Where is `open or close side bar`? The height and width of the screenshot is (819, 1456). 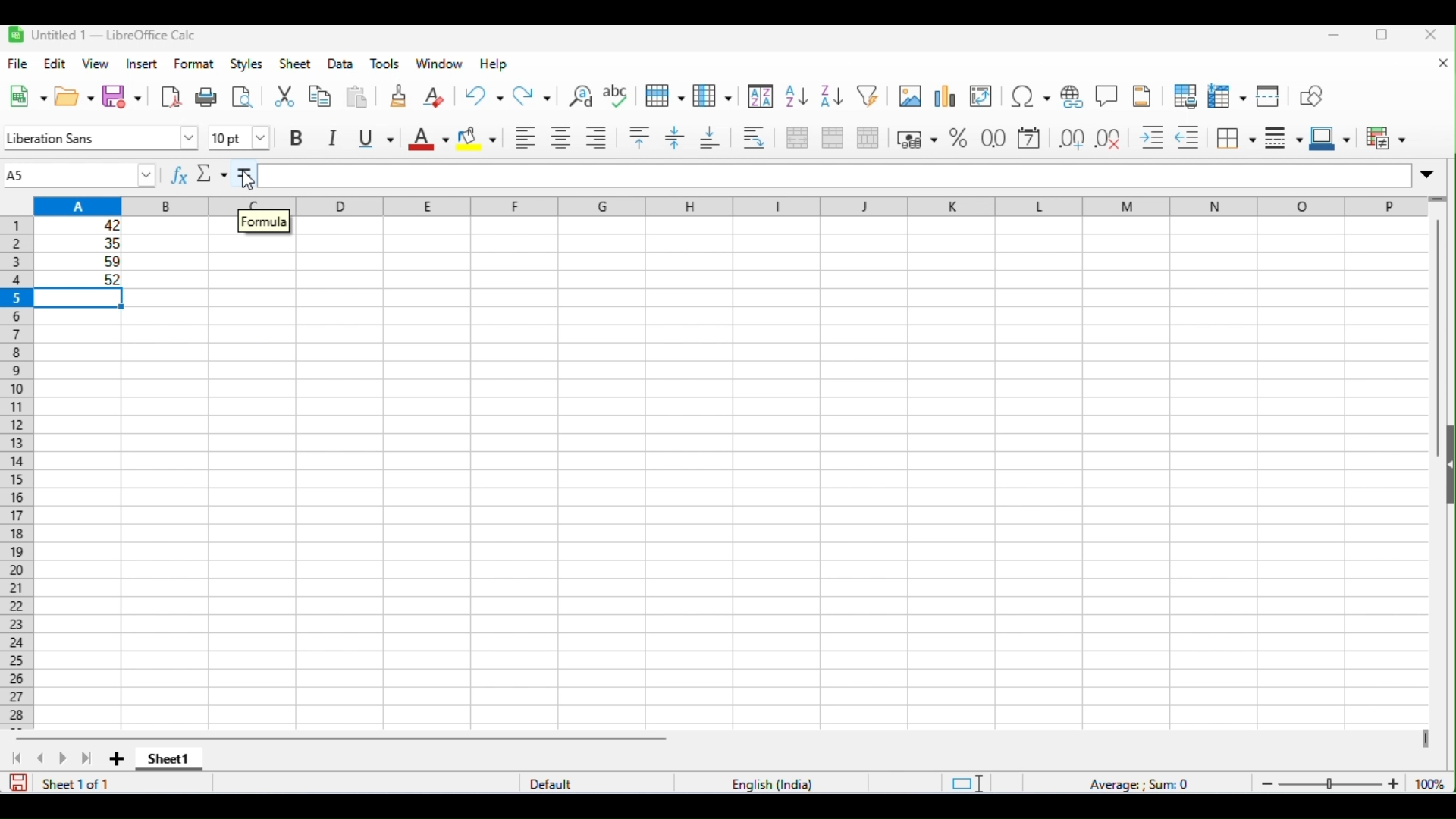 open or close side bar is located at coordinates (1447, 469).